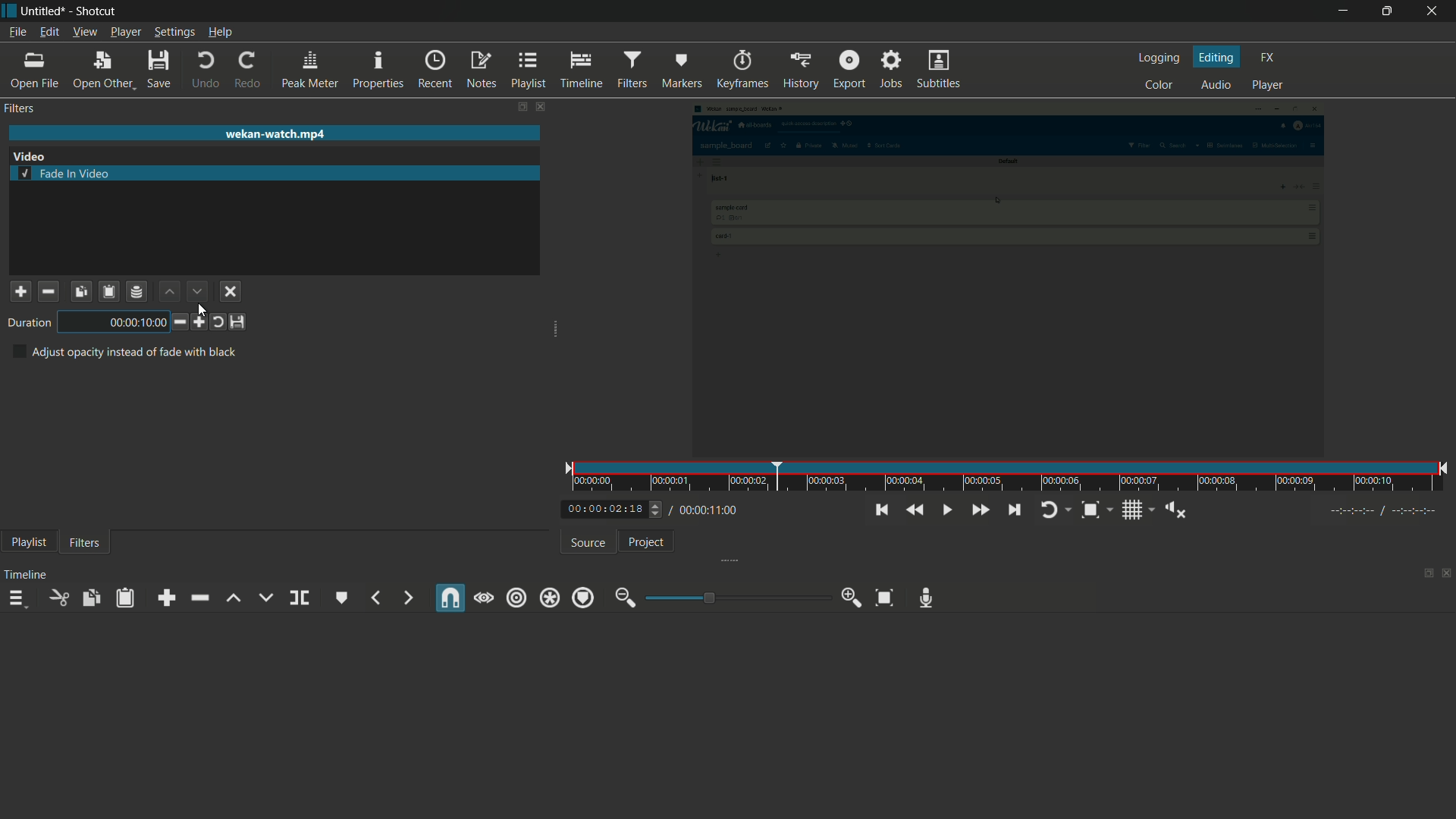  I want to click on paste, so click(124, 599).